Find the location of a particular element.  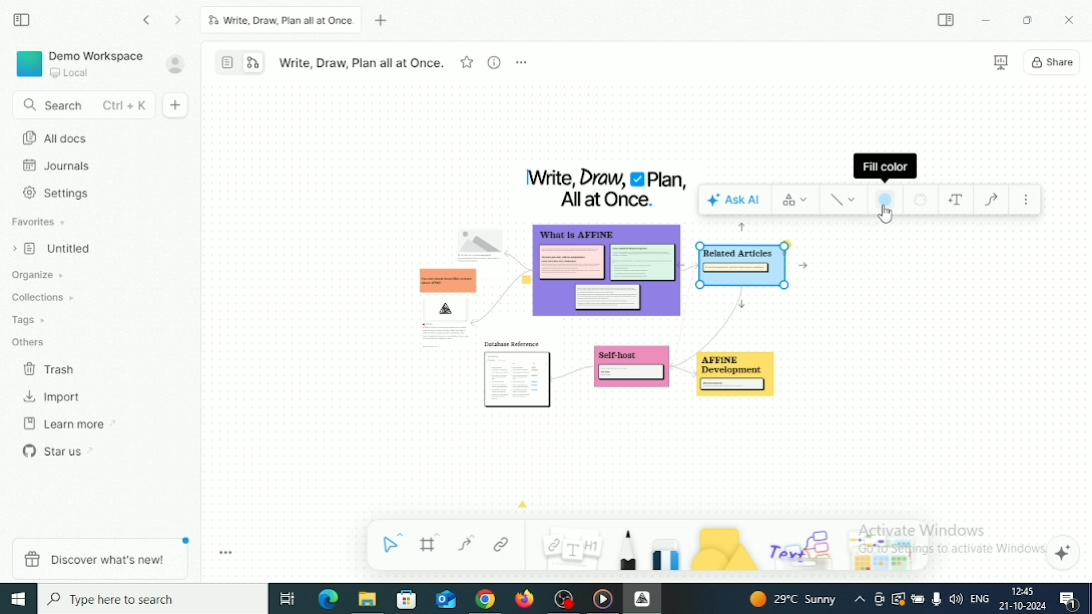

Sticky notes is located at coordinates (735, 372).